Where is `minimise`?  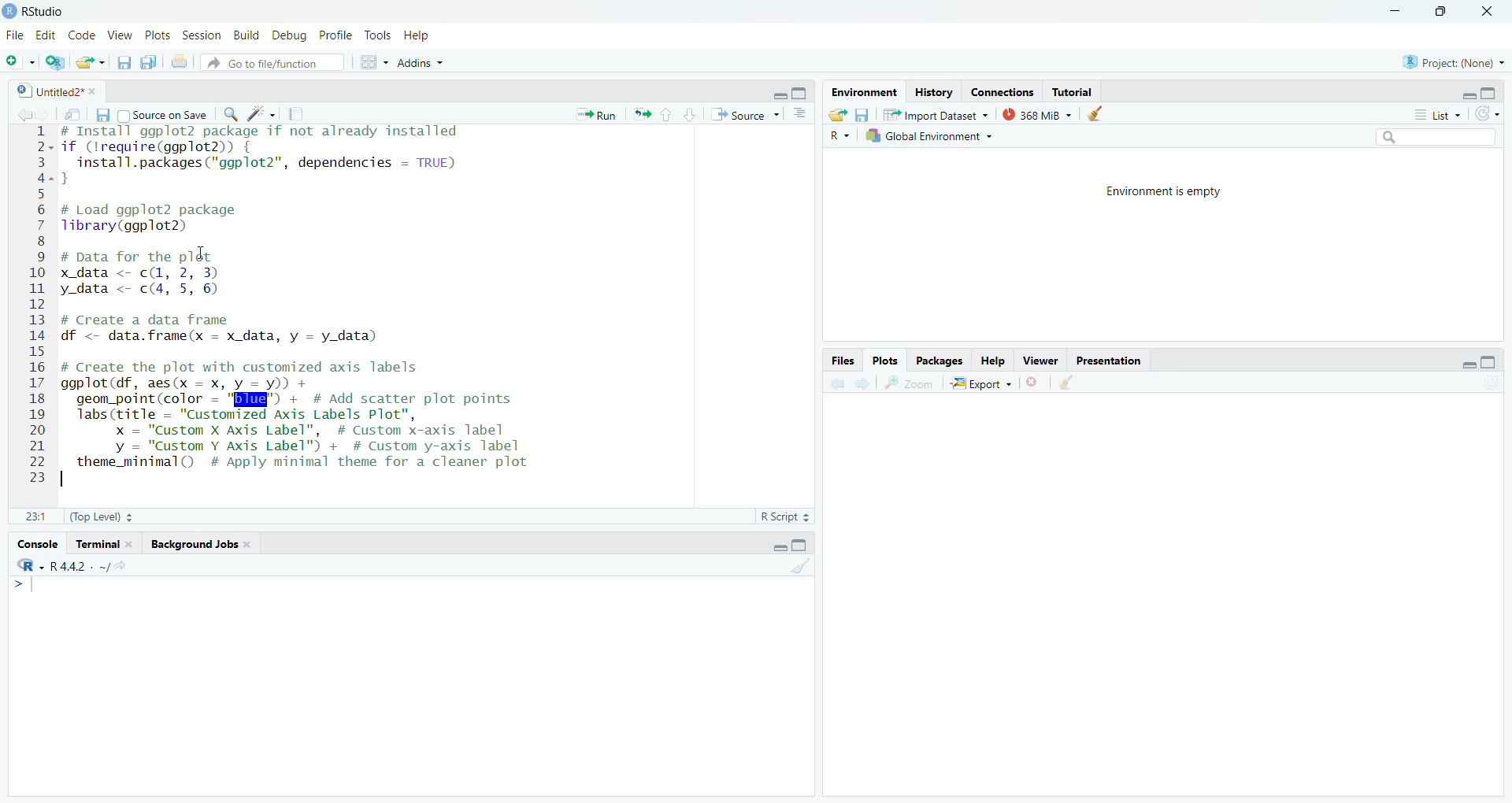
minimise is located at coordinates (1469, 364).